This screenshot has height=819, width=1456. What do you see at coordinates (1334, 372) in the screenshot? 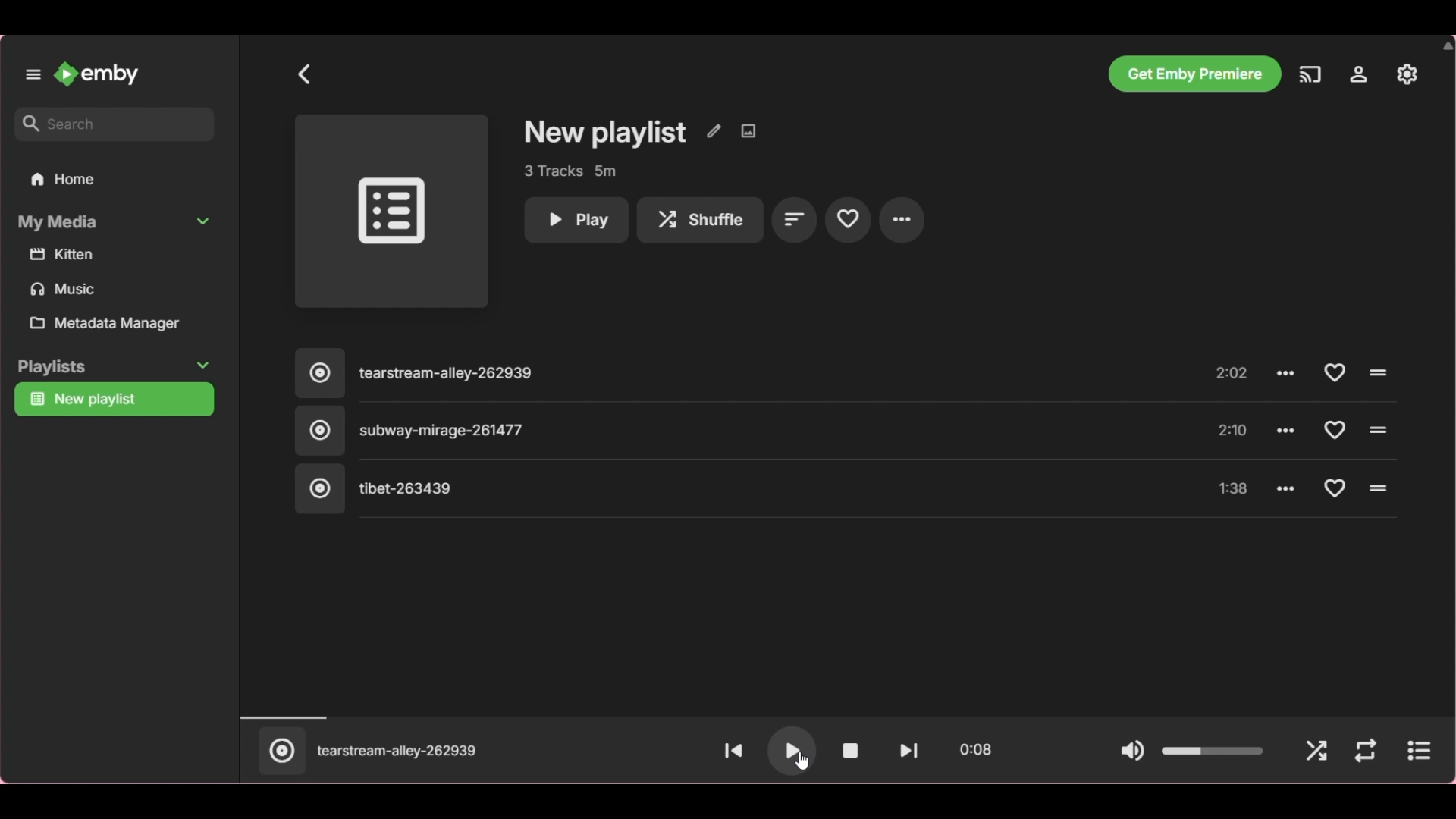
I see `Add respective song to favorites` at bounding box center [1334, 372].